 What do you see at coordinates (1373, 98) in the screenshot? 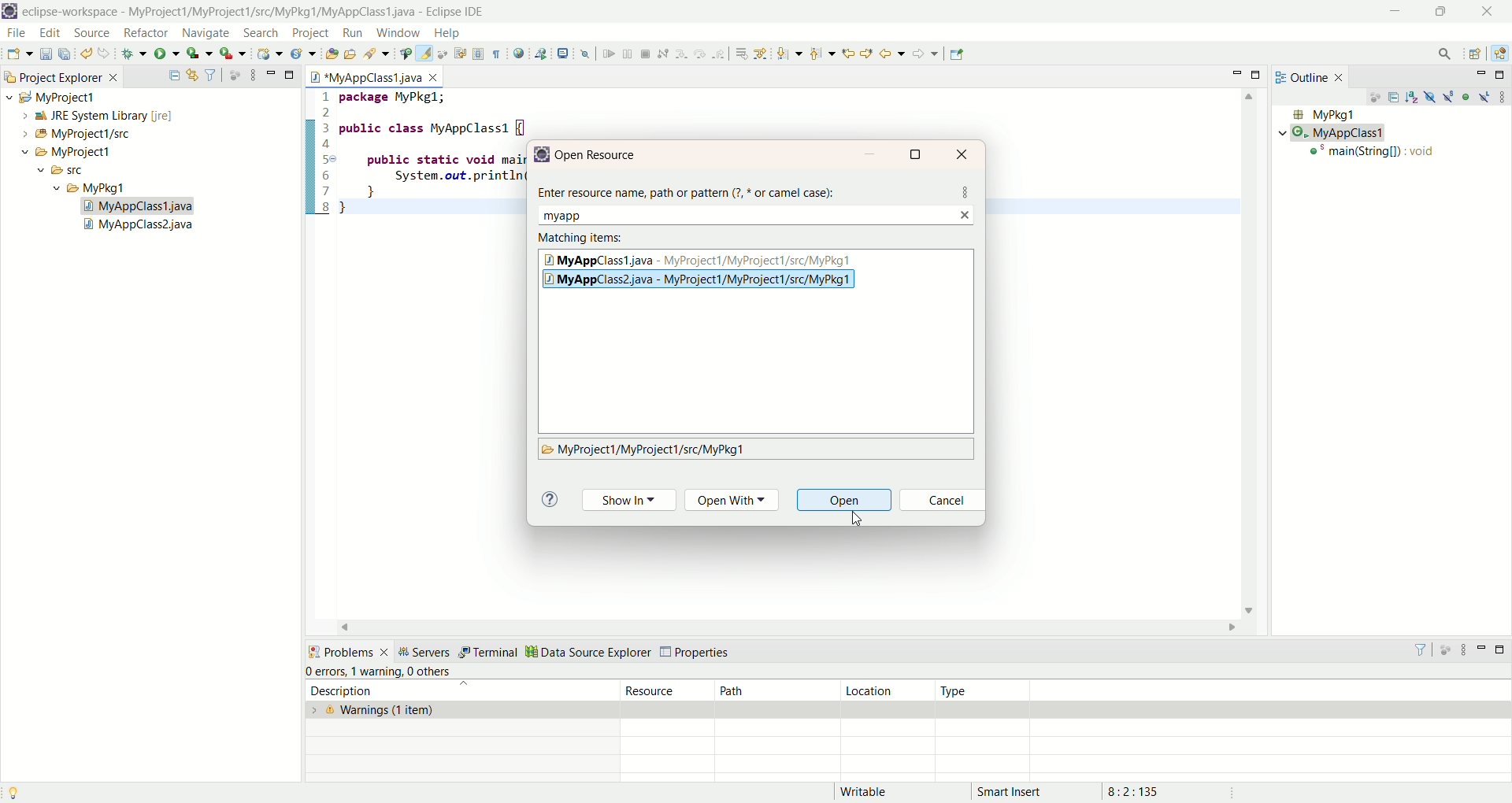
I see `focus on active task` at bounding box center [1373, 98].